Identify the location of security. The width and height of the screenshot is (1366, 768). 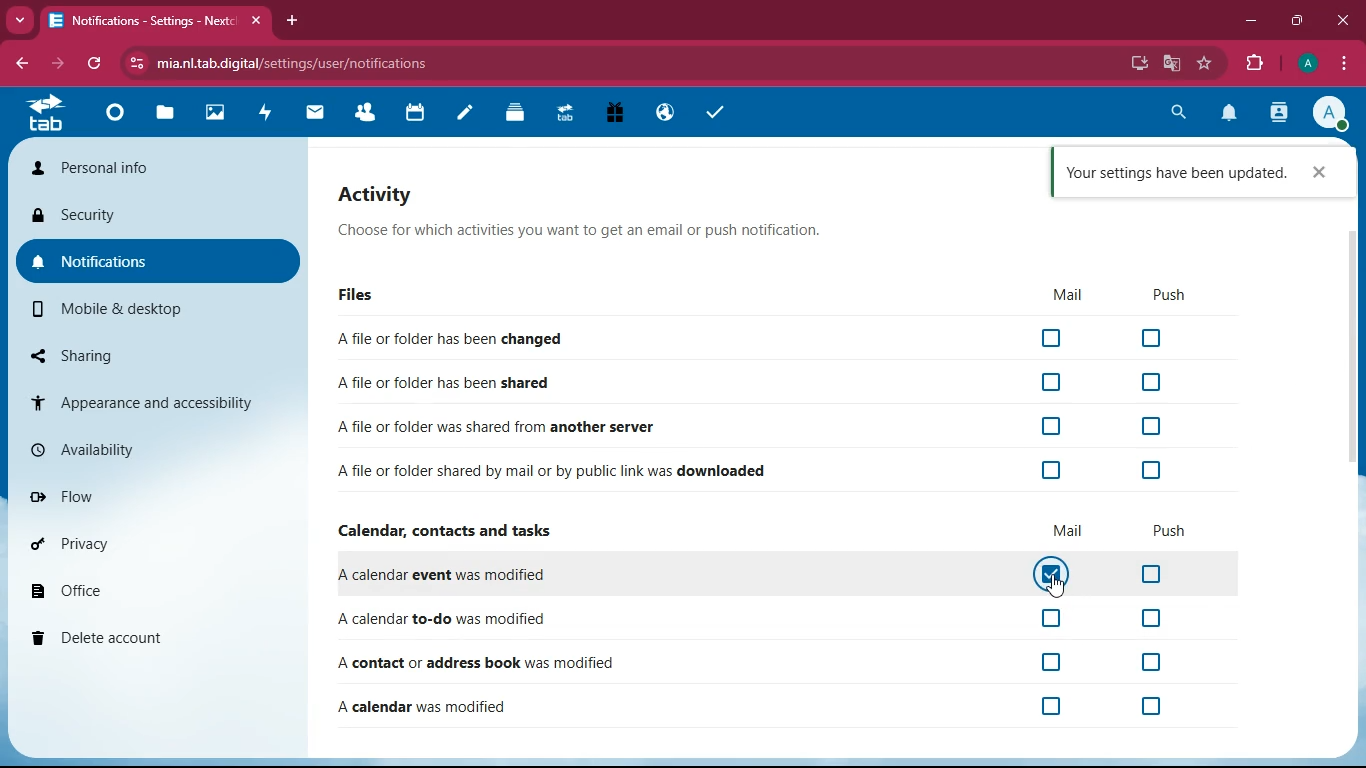
(158, 213).